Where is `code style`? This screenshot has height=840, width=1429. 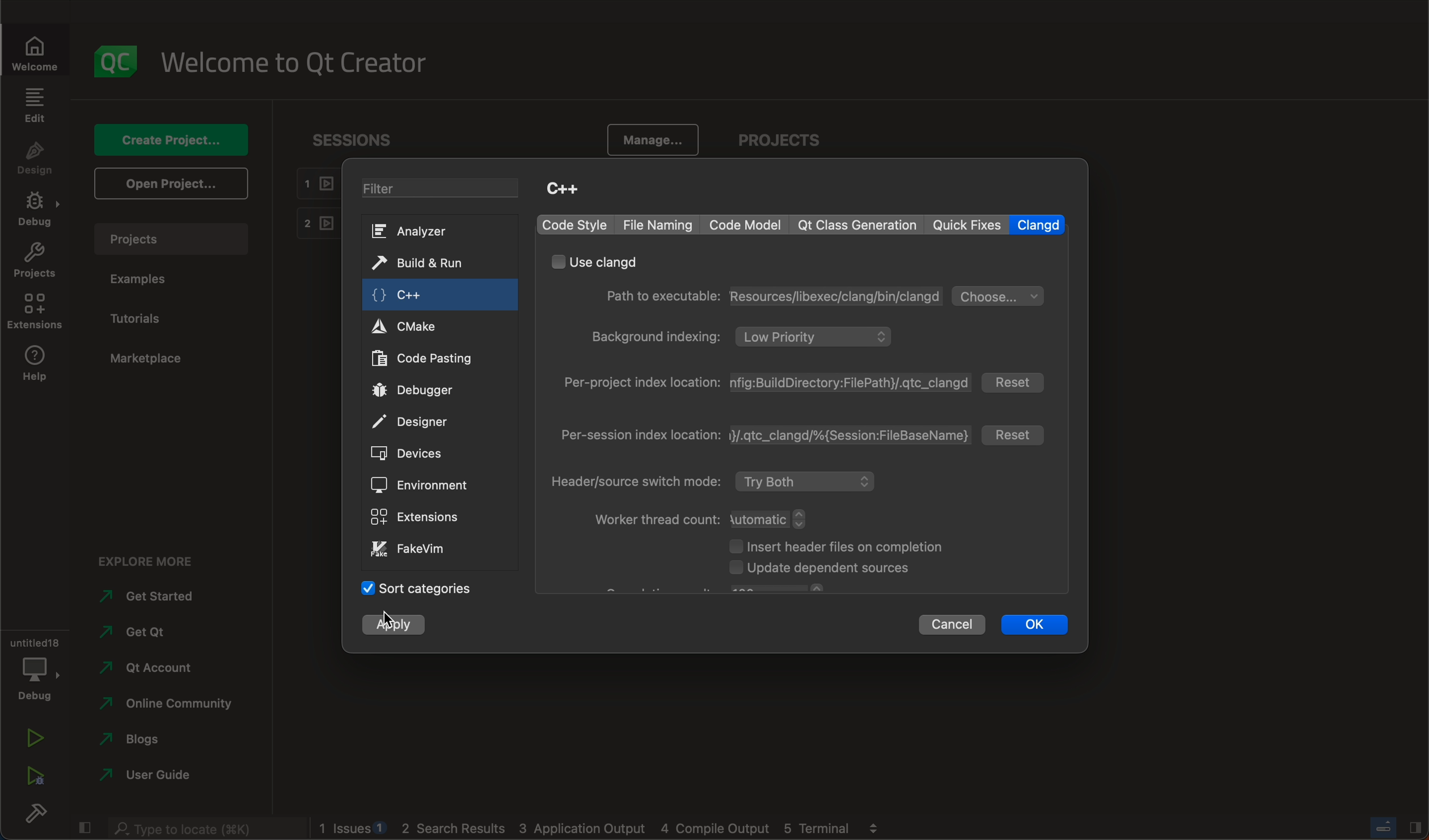
code style is located at coordinates (578, 224).